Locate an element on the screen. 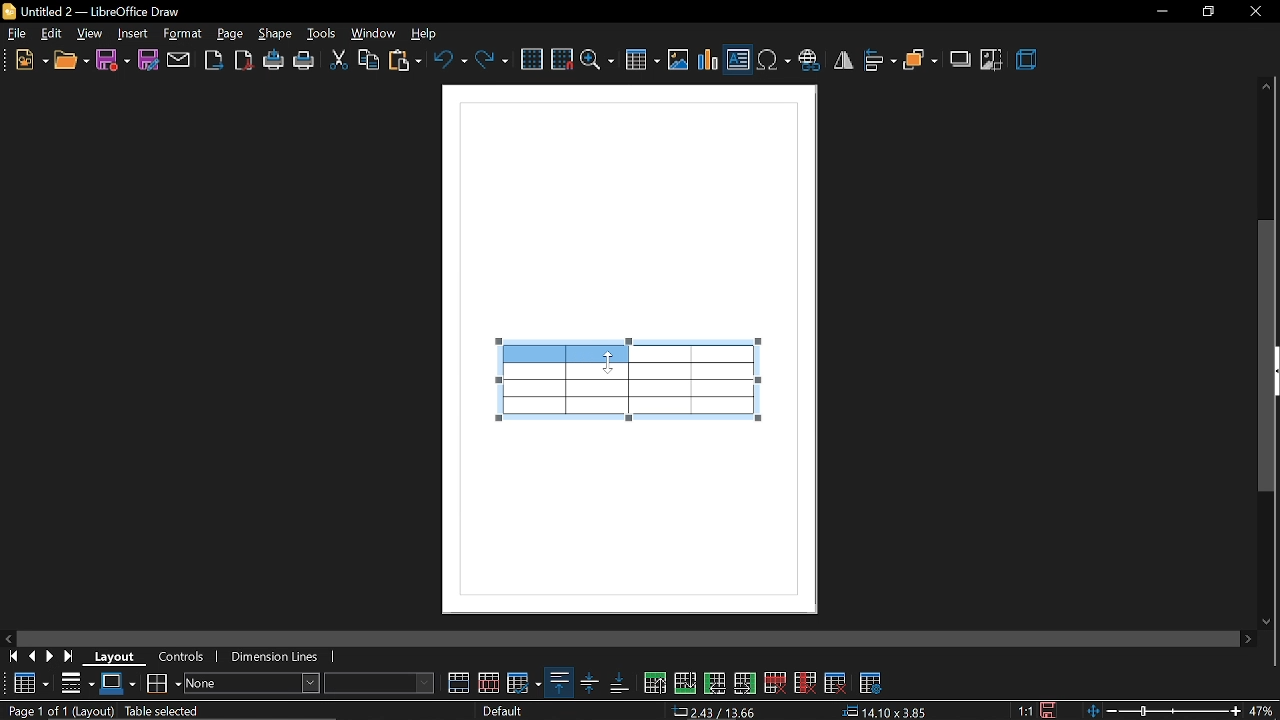 The width and height of the screenshot is (1280, 720). fill color is located at coordinates (383, 682).